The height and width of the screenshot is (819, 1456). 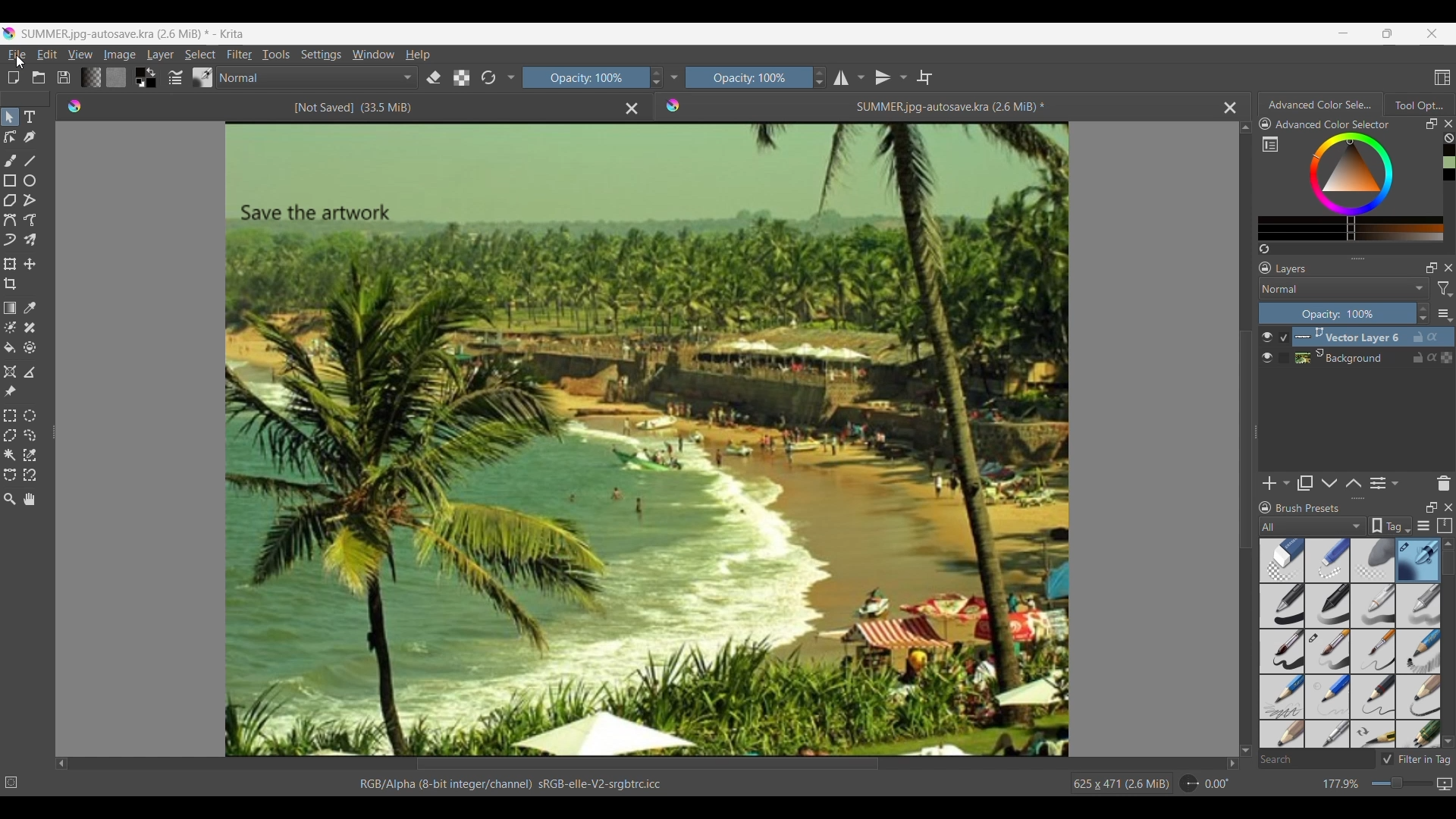 I want to click on Select, so click(x=200, y=55).